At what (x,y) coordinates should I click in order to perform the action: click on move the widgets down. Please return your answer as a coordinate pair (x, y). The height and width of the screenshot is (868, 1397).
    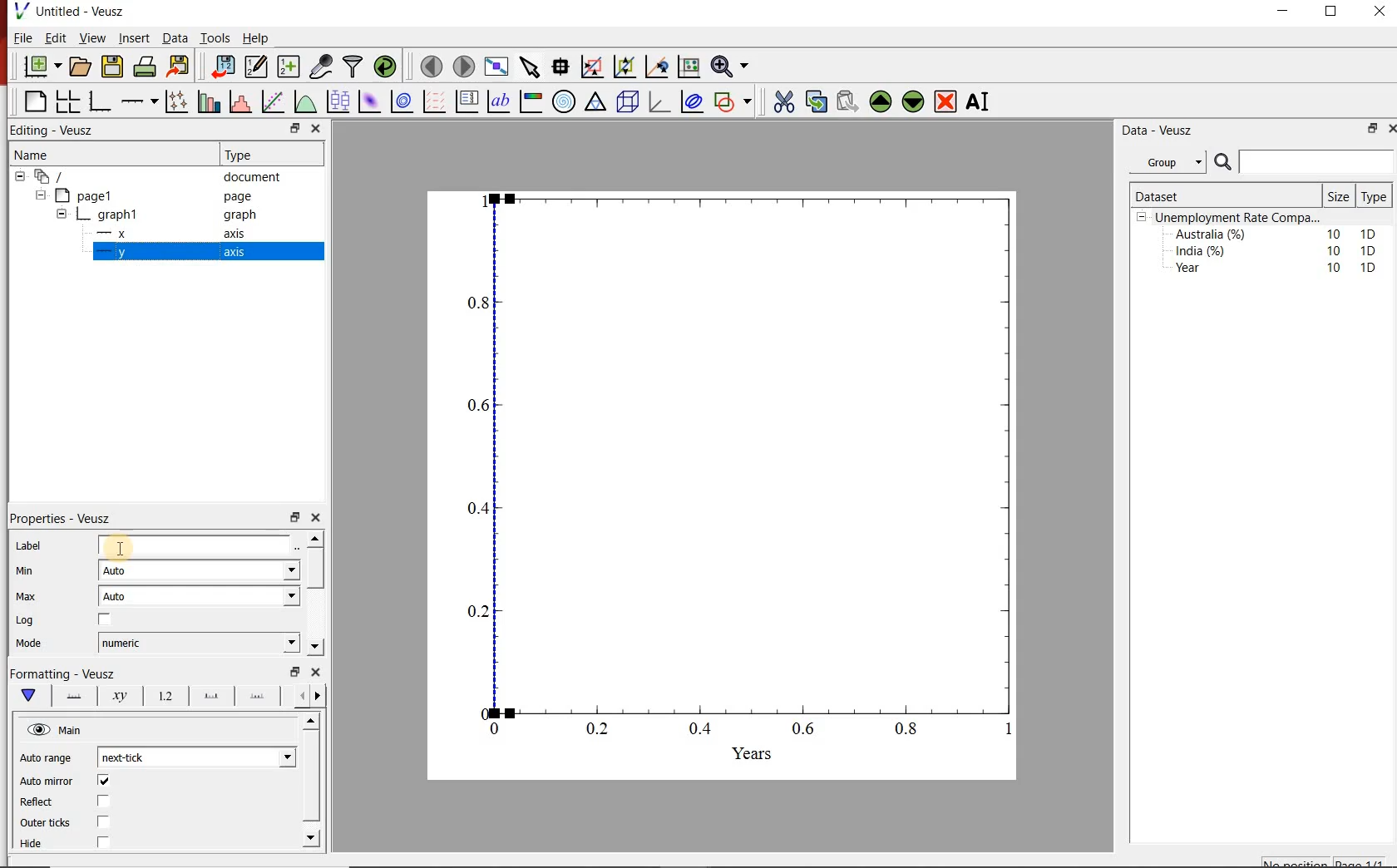
    Looking at the image, I should click on (911, 101).